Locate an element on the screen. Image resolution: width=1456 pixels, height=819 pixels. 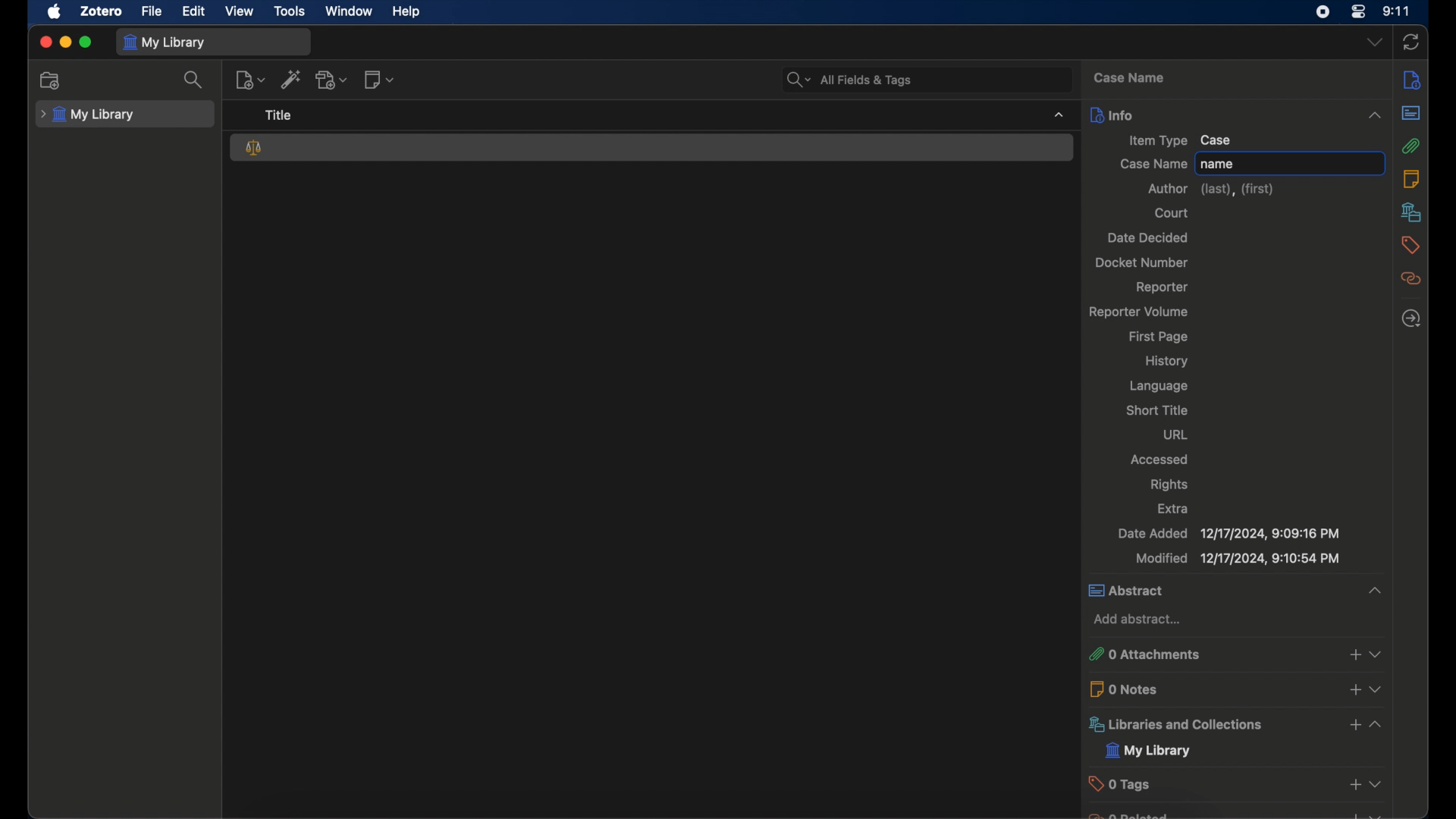
abstract is located at coordinates (1237, 590).